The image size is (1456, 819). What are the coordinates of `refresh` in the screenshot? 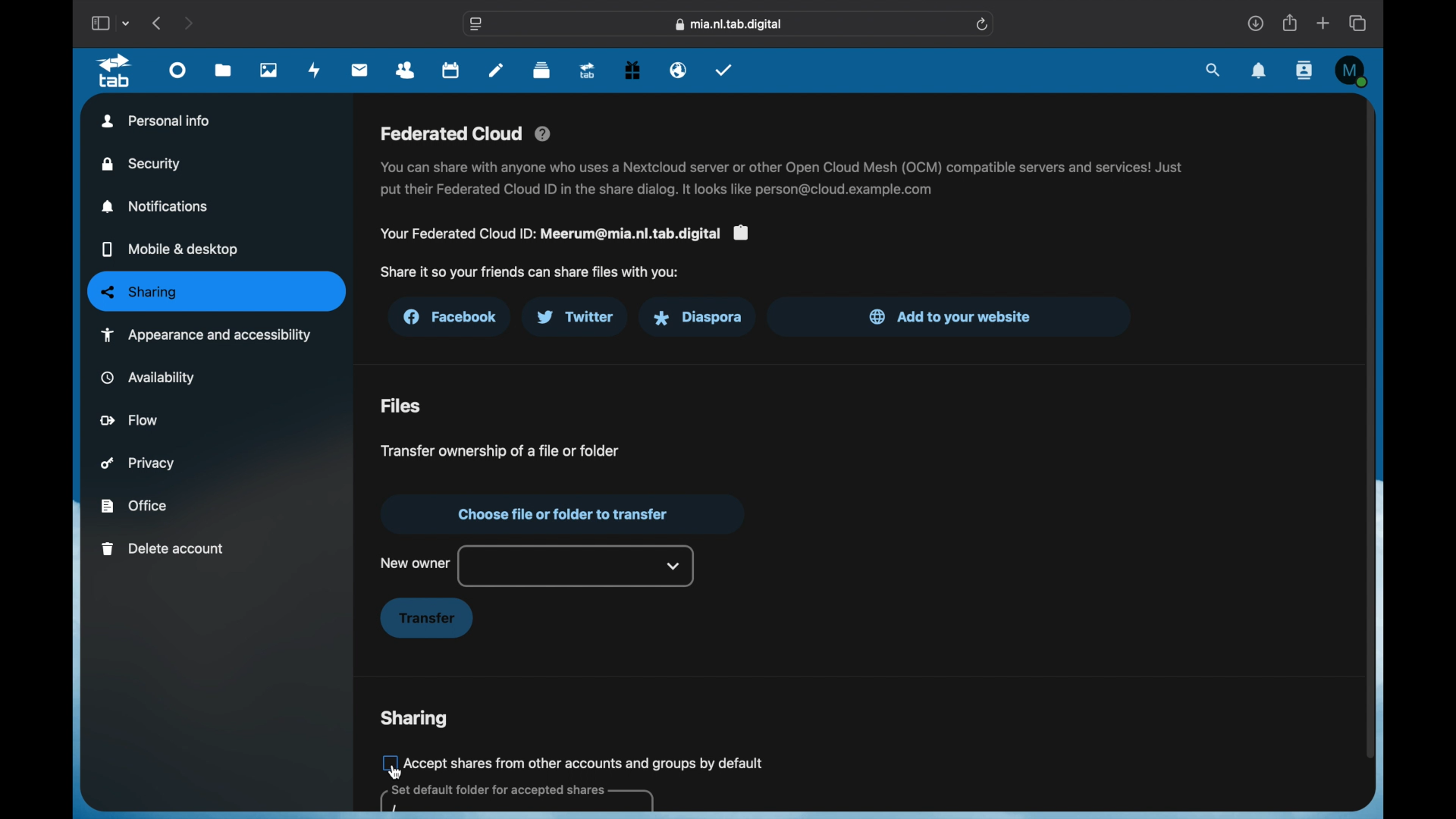 It's located at (984, 24).